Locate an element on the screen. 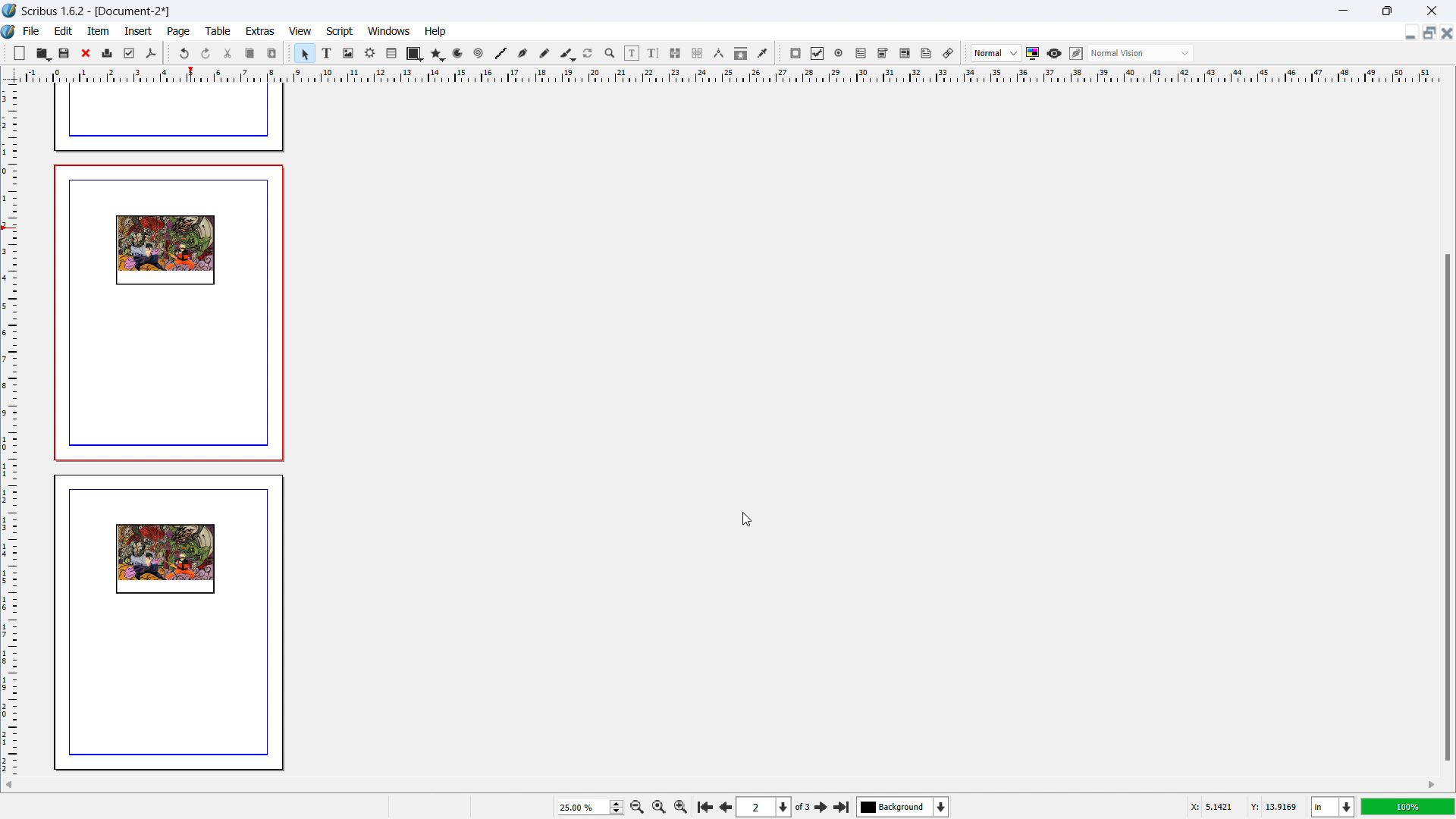  windows is located at coordinates (390, 31).